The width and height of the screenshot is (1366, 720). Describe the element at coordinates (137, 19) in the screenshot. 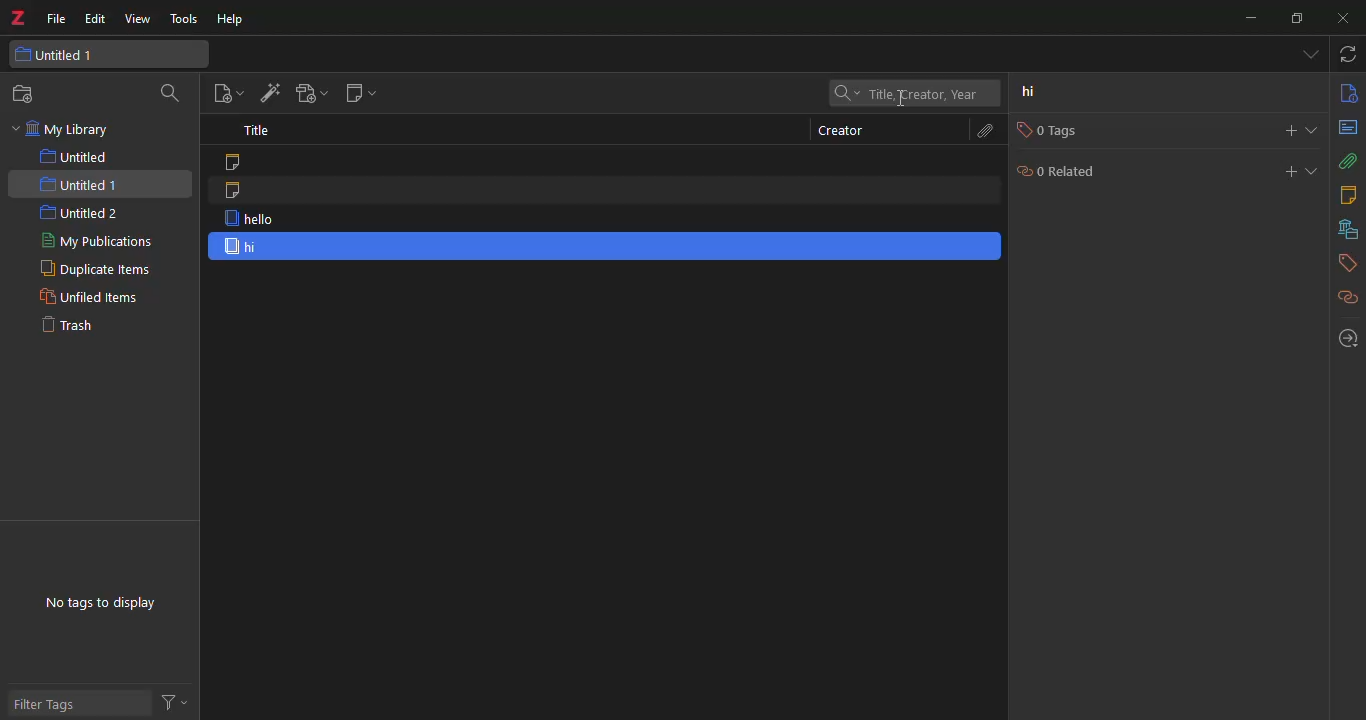

I see `view` at that location.